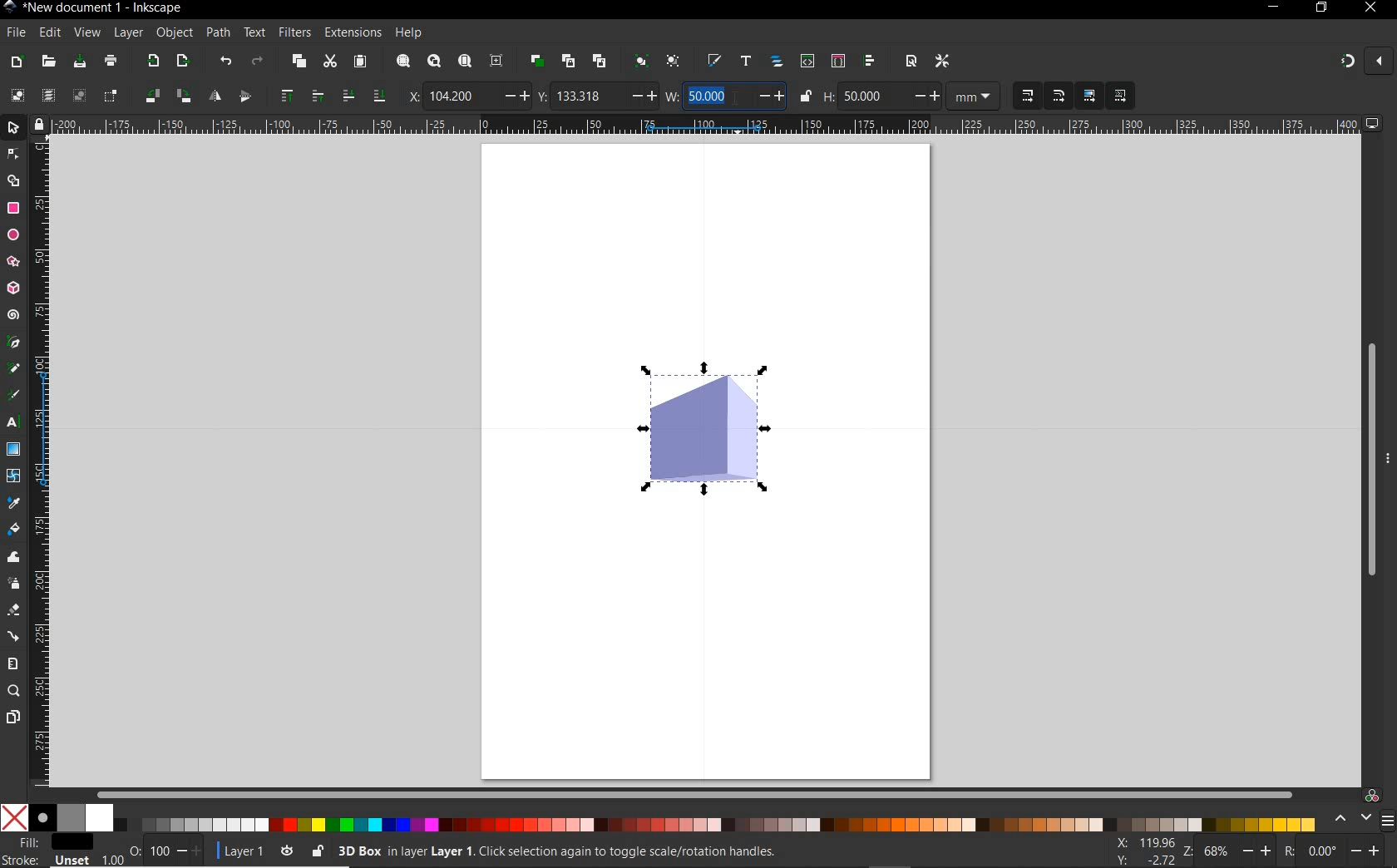 This screenshot has width=1397, height=868. What do you see at coordinates (347, 96) in the screenshot?
I see `lower selection` at bounding box center [347, 96].